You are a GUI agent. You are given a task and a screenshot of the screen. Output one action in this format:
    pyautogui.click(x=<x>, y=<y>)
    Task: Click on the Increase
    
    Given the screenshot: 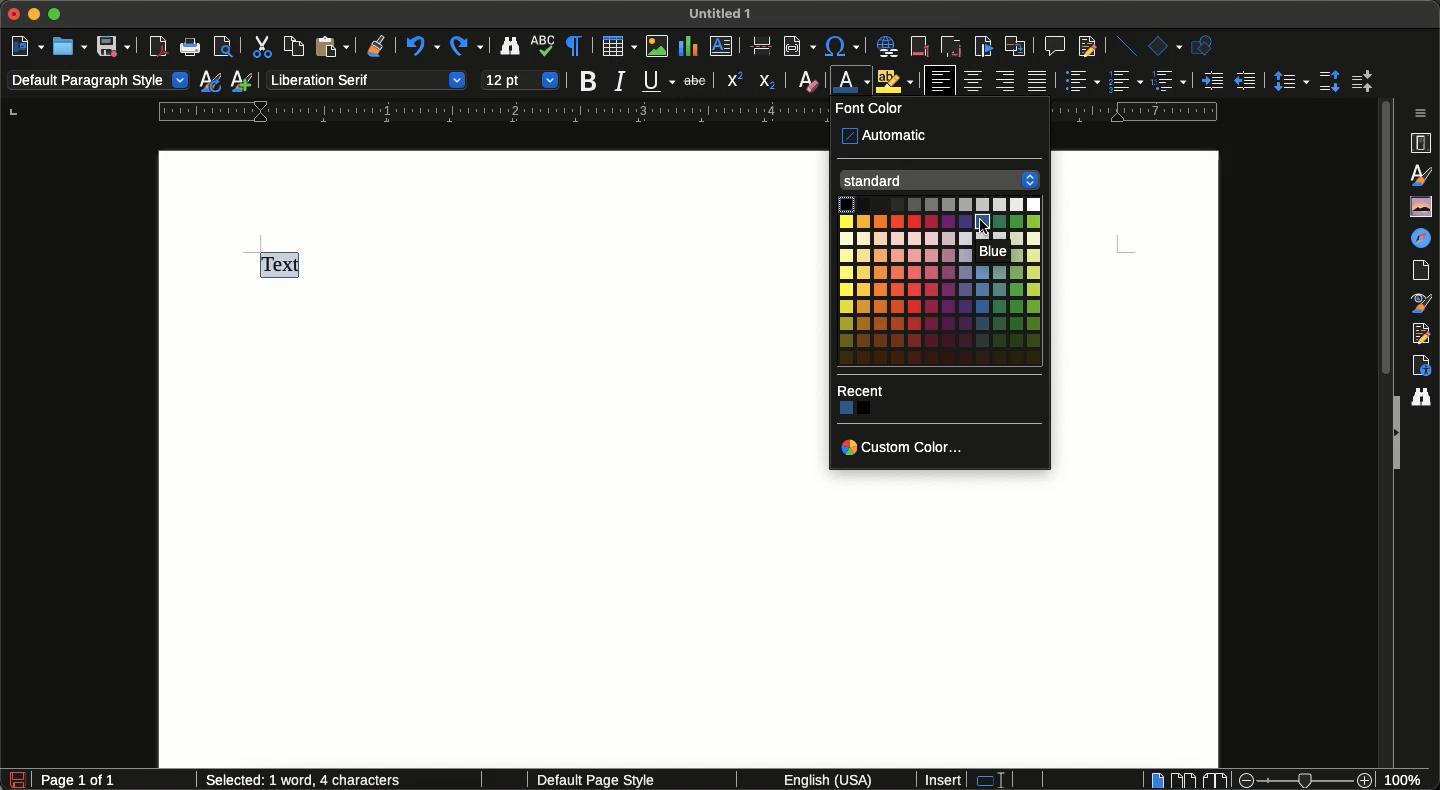 What is the action you would take?
    pyautogui.click(x=1212, y=80)
    